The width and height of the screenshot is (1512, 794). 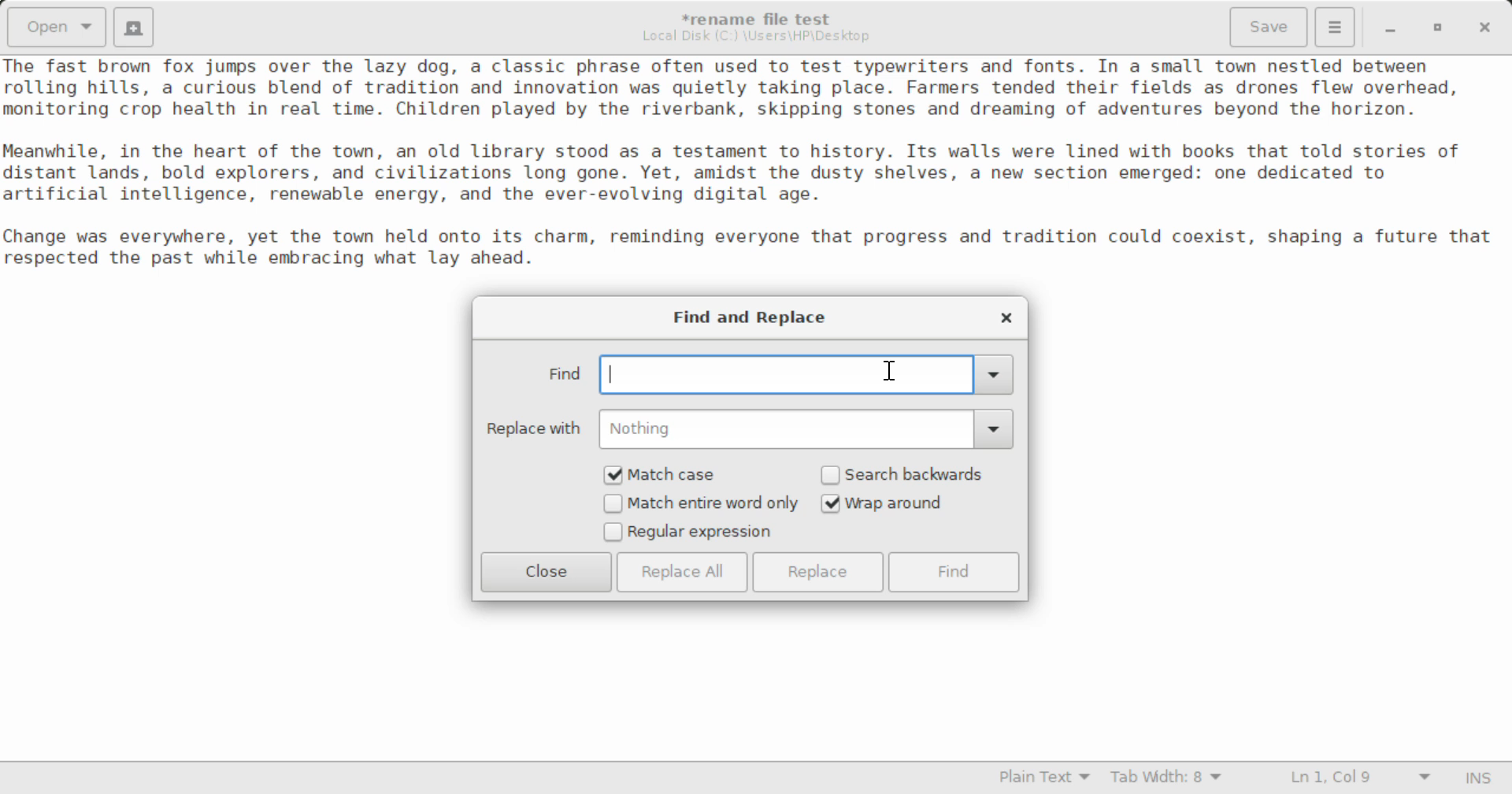 I want to click on Replace with Response Field, so click(x=750, y=429).